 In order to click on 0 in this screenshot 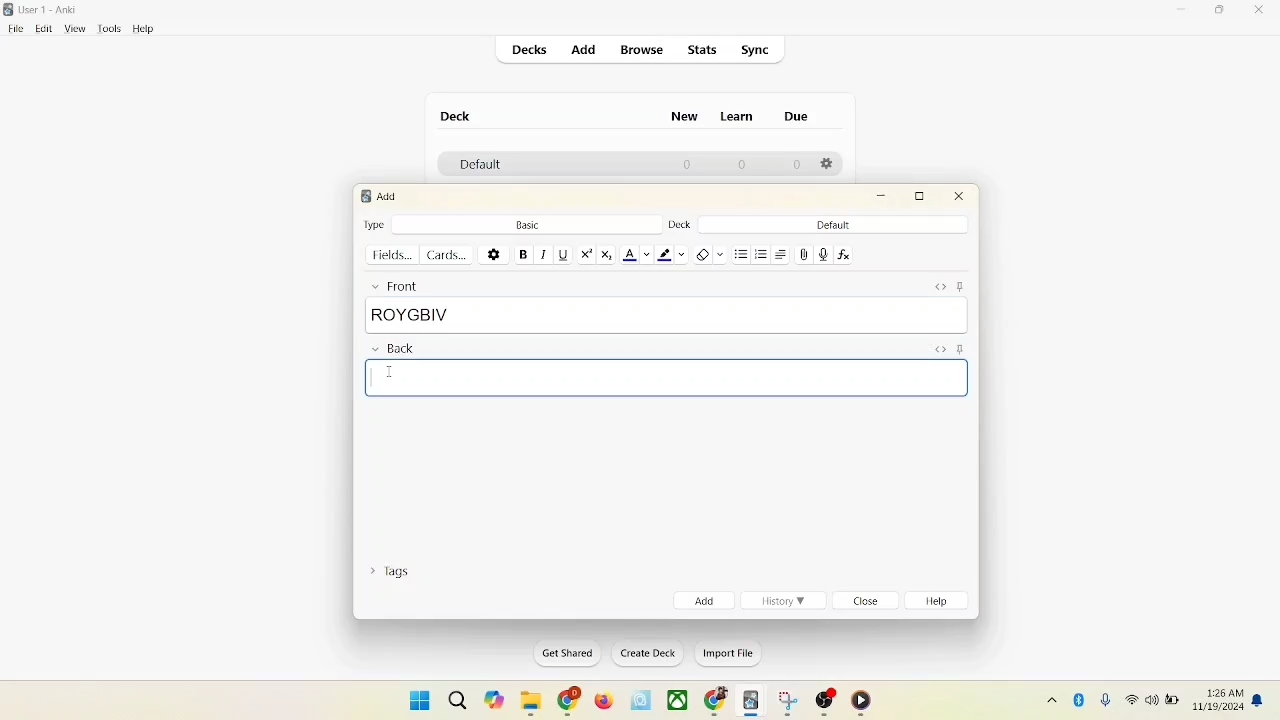, I will do `click(798, 165)`.